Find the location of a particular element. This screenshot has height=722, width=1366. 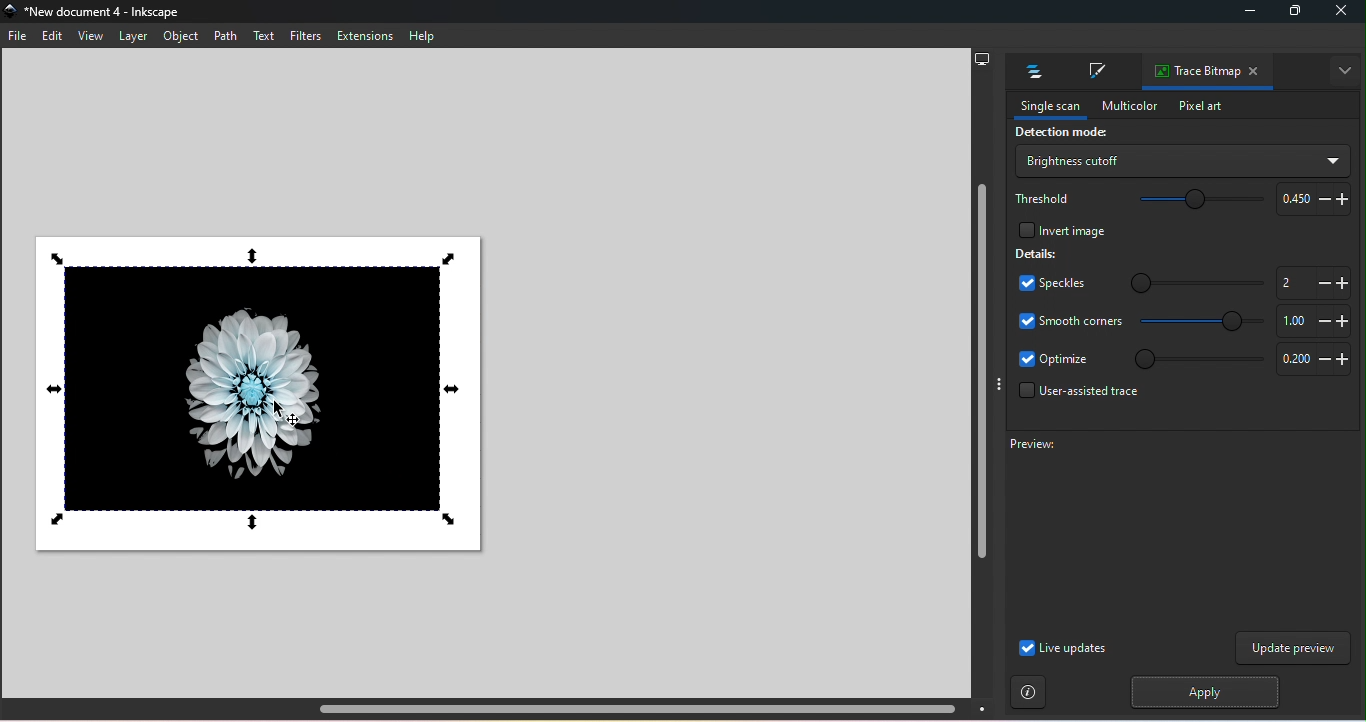

Invert image is located at coordinates (1060, 228).